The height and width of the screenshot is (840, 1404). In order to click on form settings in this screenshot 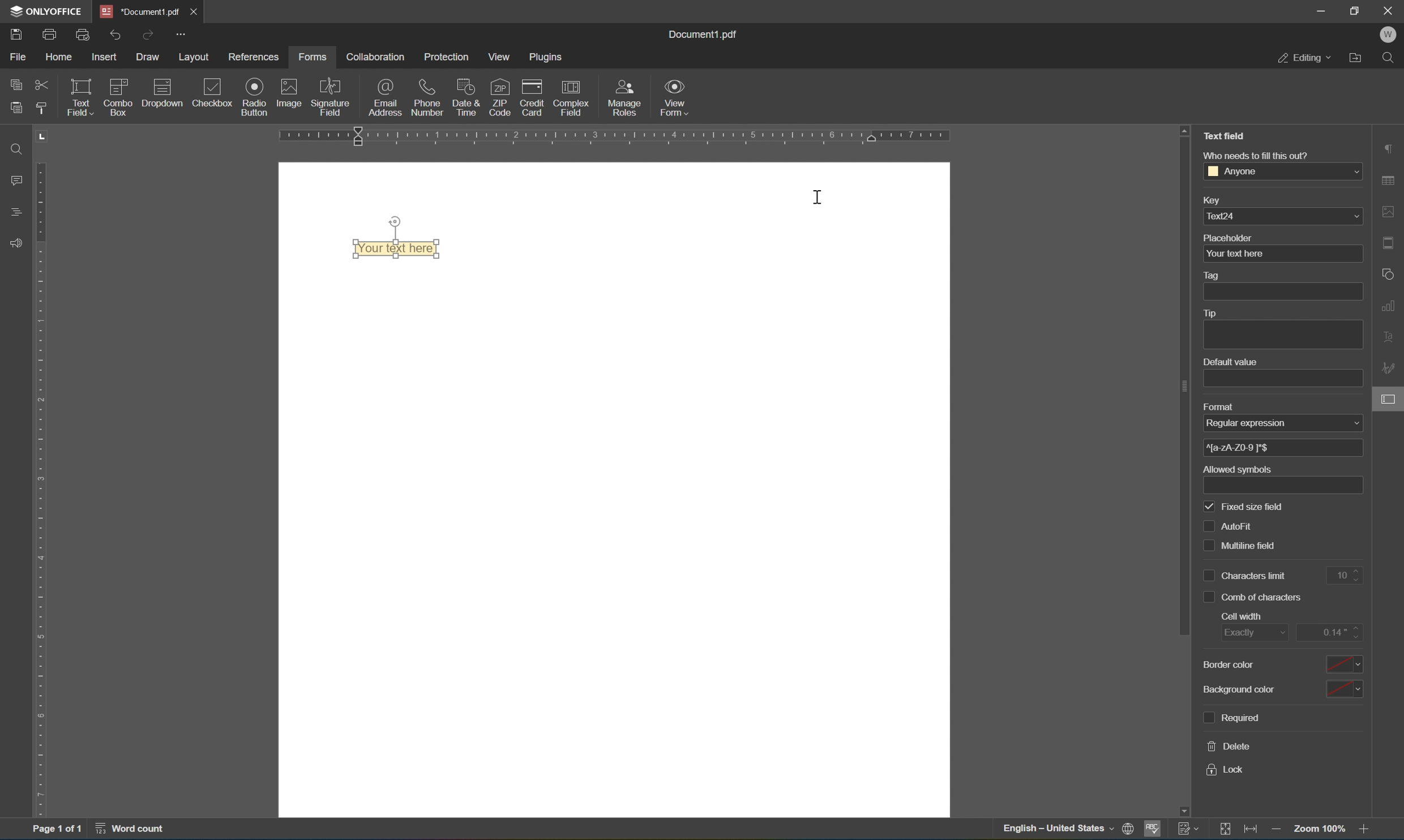, I will do `click(1390, 398)`.